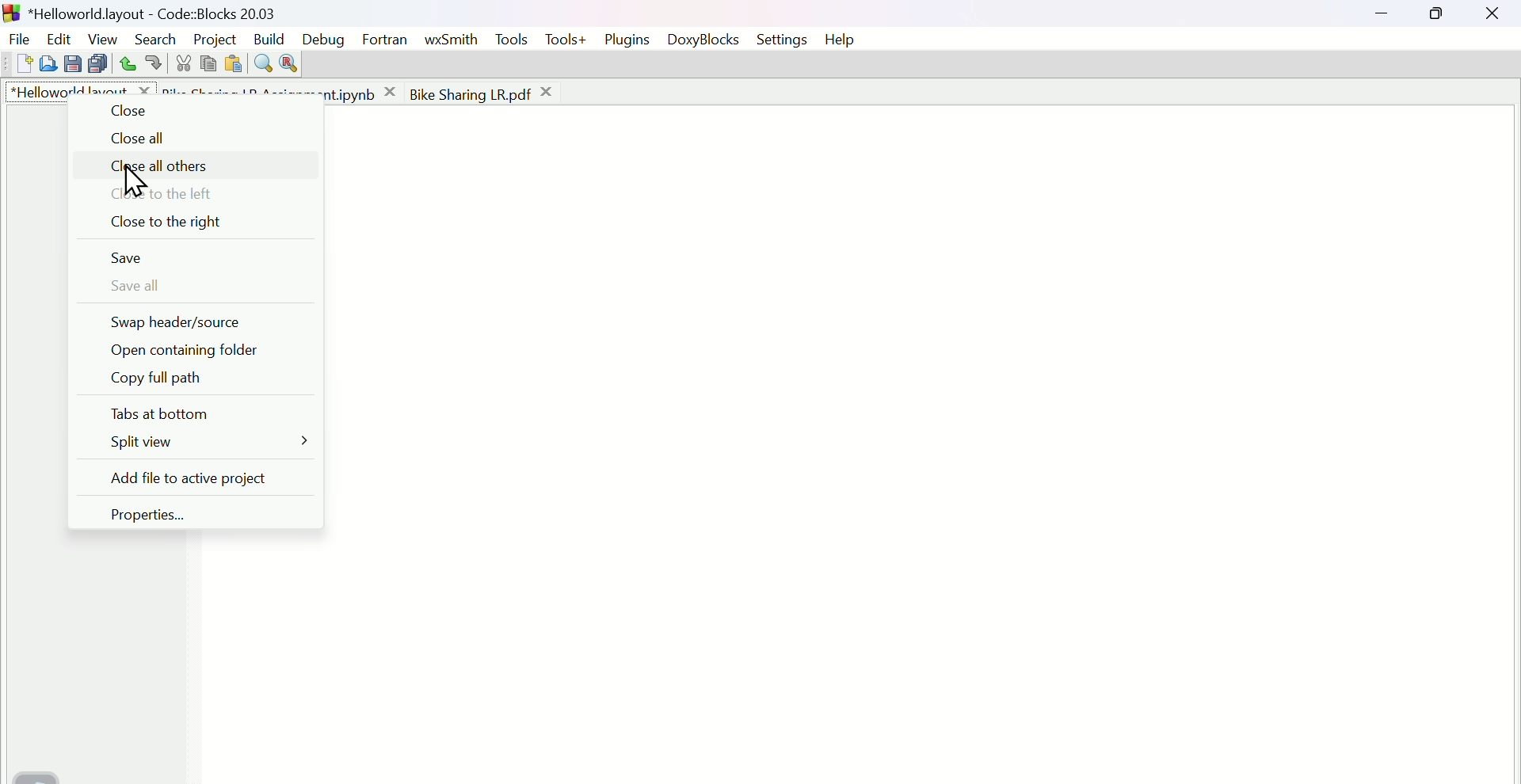 Image resolution: width=1521 pixels, height=784 pixels. What do you see at coordinates (181, 324) in the screenshot?
I see `Swap header source` at bounding box center [181, 324].